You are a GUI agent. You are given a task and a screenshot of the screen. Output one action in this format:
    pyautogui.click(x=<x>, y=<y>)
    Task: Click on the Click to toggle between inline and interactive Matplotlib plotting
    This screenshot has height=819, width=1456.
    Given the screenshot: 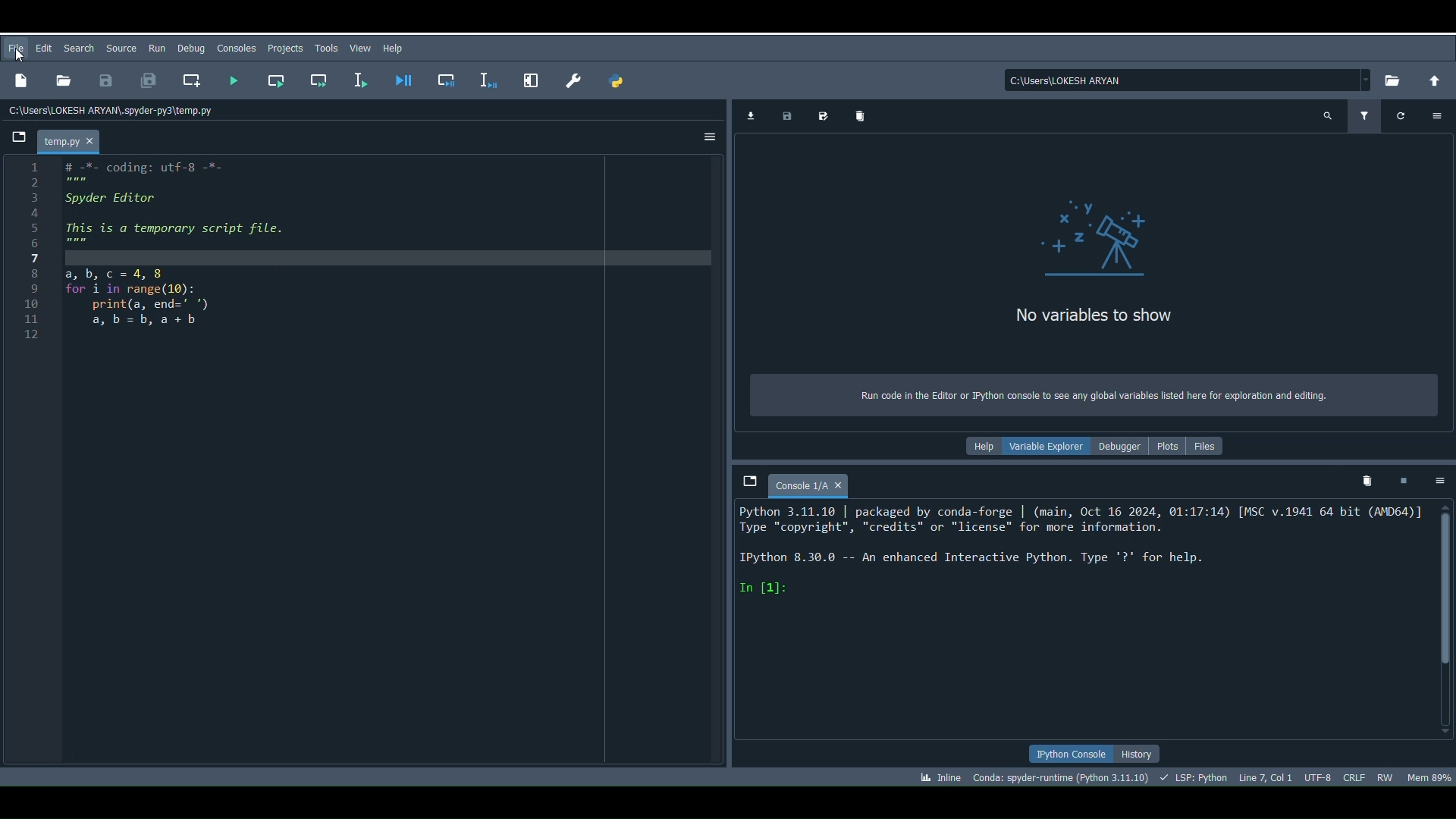 What is the action you would take?
    pyautogui.click(x=940, y=777)
    